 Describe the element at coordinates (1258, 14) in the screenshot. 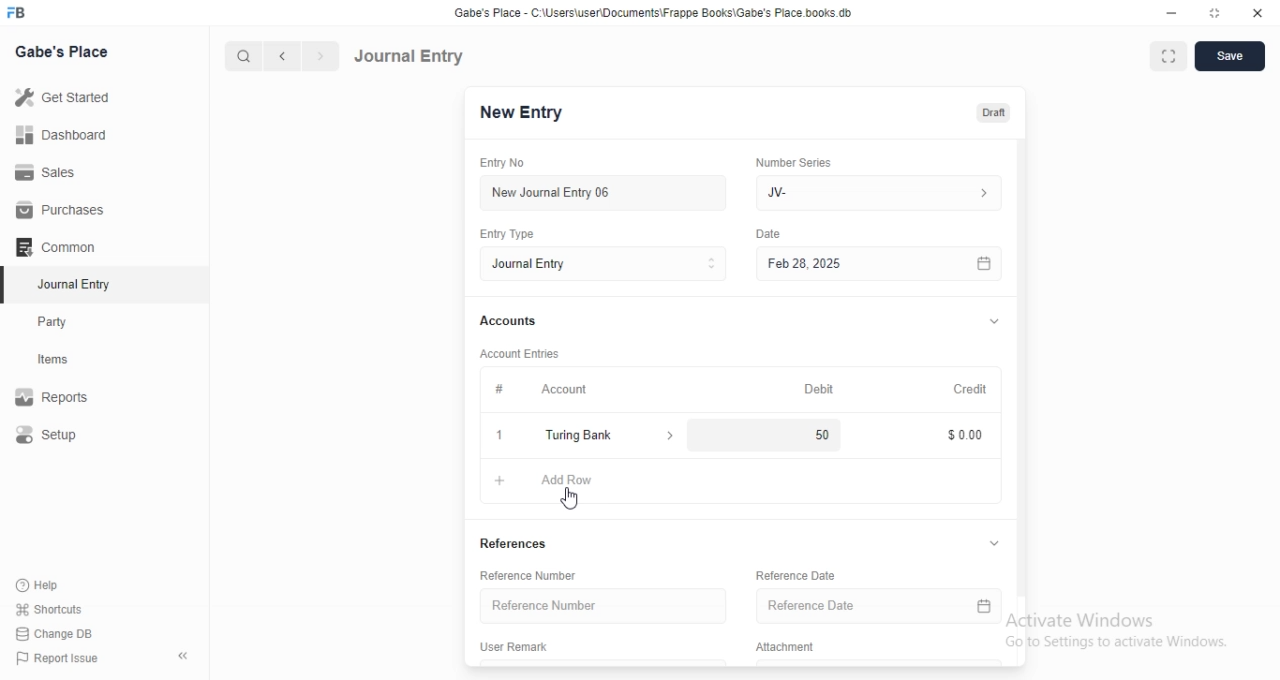

I see `close` at that location.